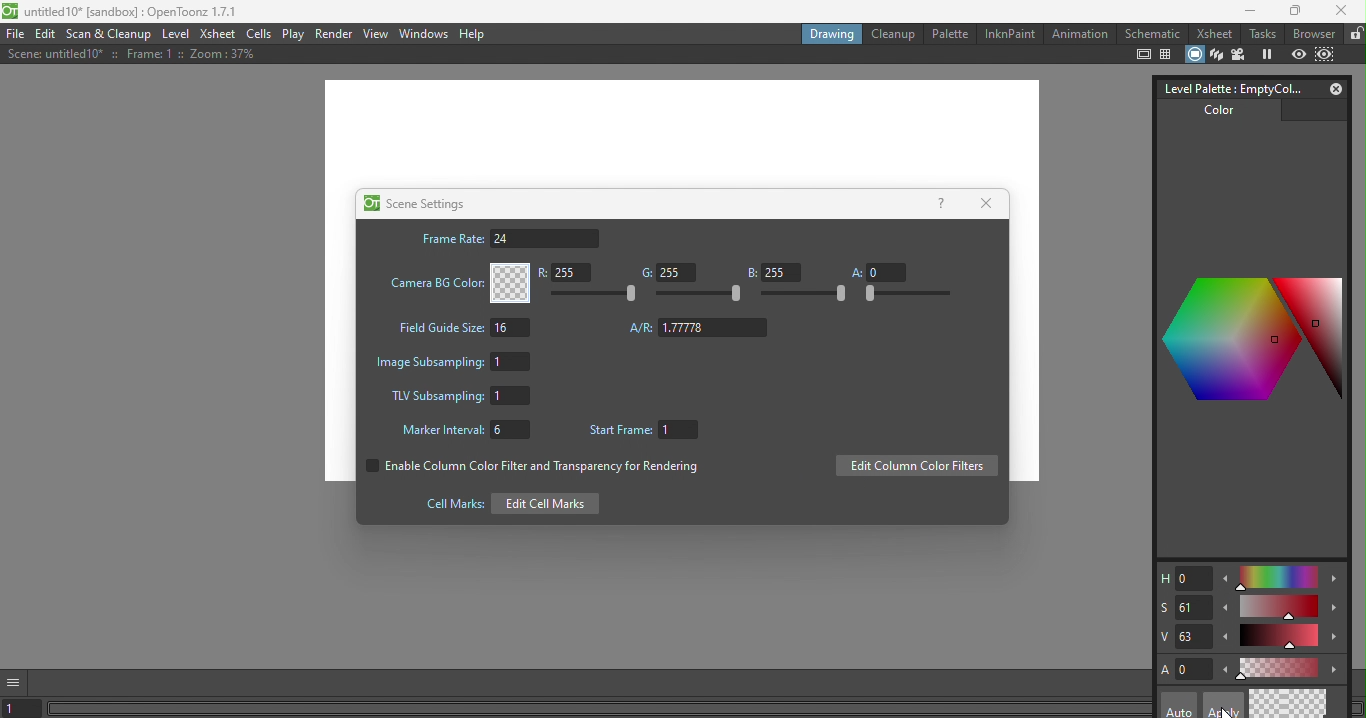 Image resolution: width=1366 pixels, height=718 pixels. What do you see at coordinates (1309, 703) in the screenshot?
I see `Return to previous style` at bounding box center [1309, 703].